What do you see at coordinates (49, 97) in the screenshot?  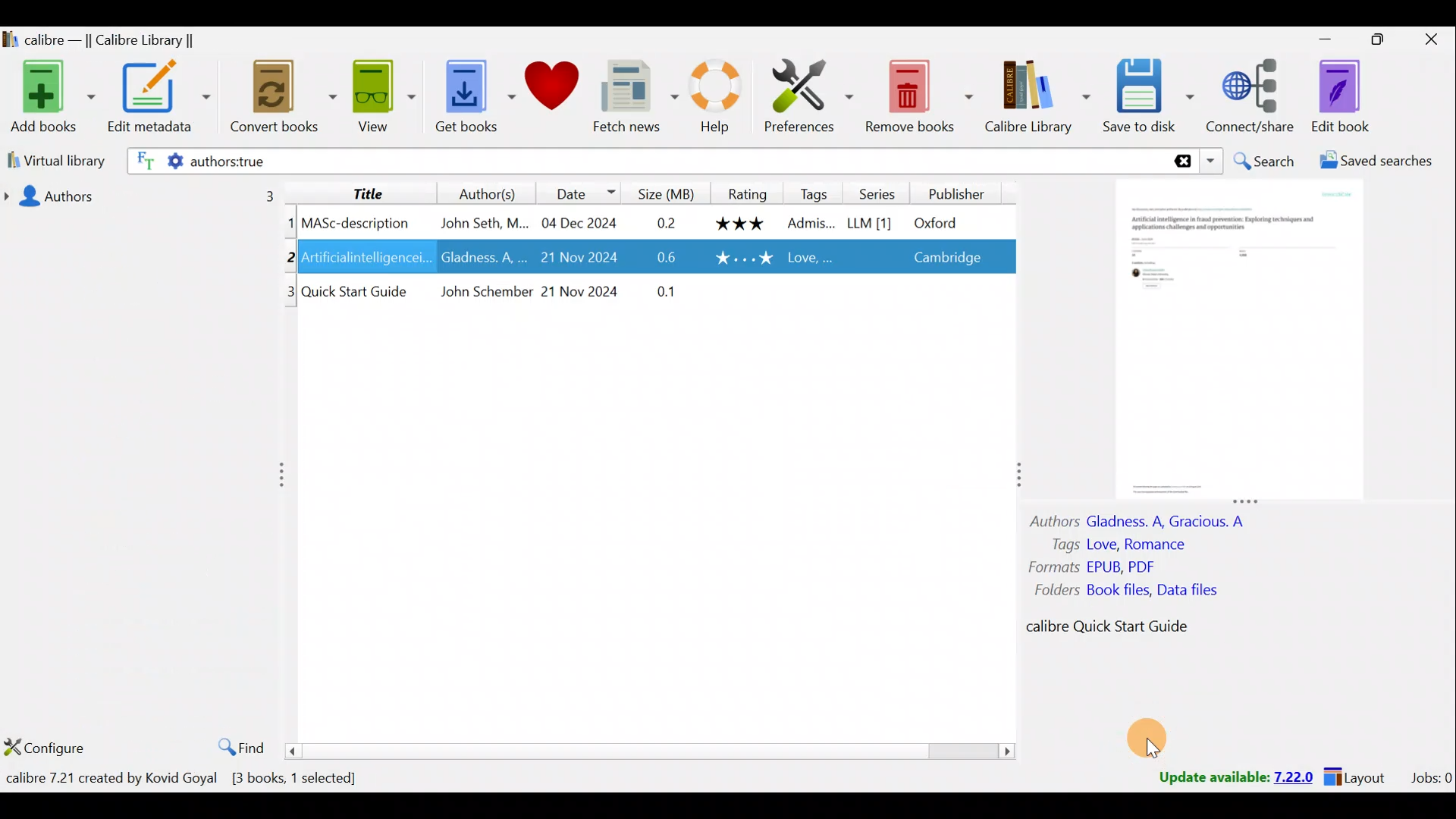 I see `Add books` at bounding box center [49, 97].